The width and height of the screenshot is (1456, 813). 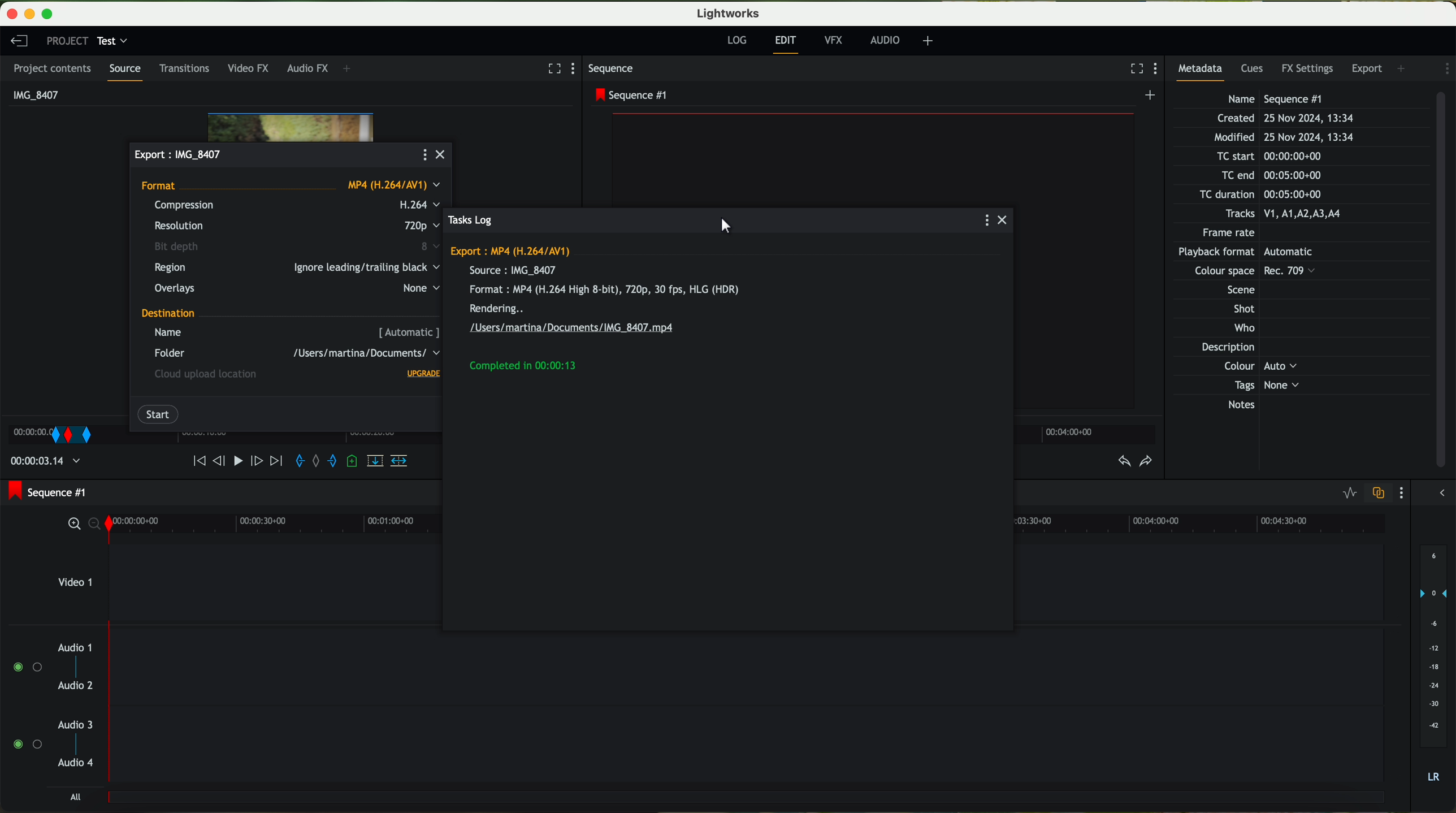 What do you see at coordinates (75, 647) in the screenshot?
I see `audio 1` at bounding box center [75, 647].